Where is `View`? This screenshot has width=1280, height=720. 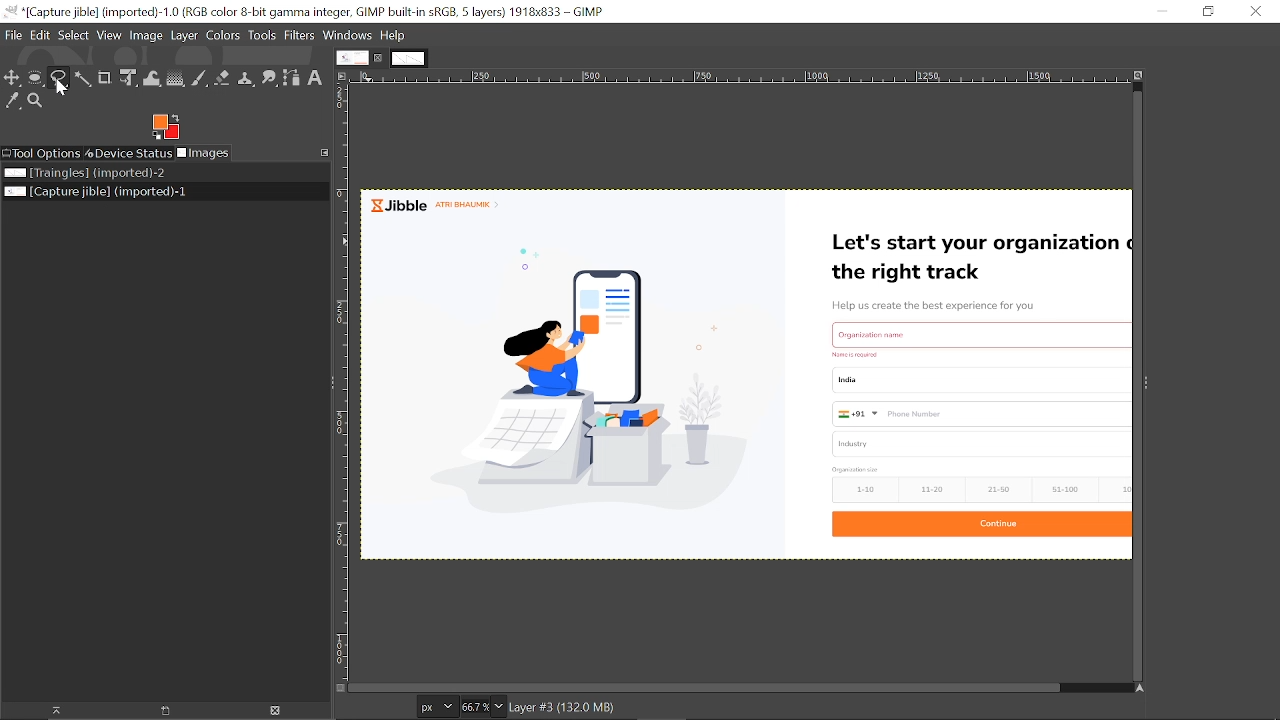
View is located at coordinates (110, 35).